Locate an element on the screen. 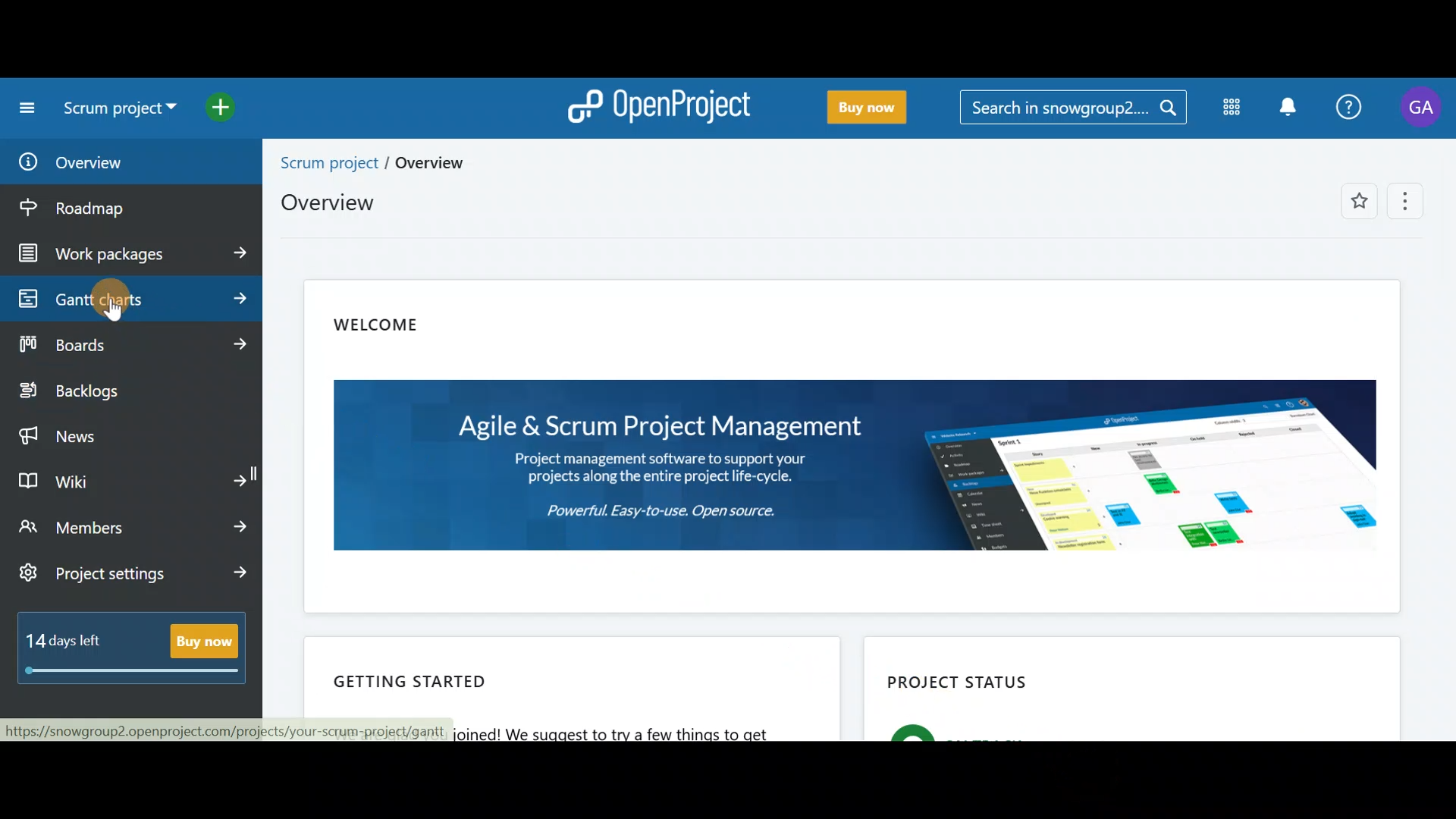 The height and width of the screenshot is (819, 1456). OpenProject is located at coordinates (664, 104).